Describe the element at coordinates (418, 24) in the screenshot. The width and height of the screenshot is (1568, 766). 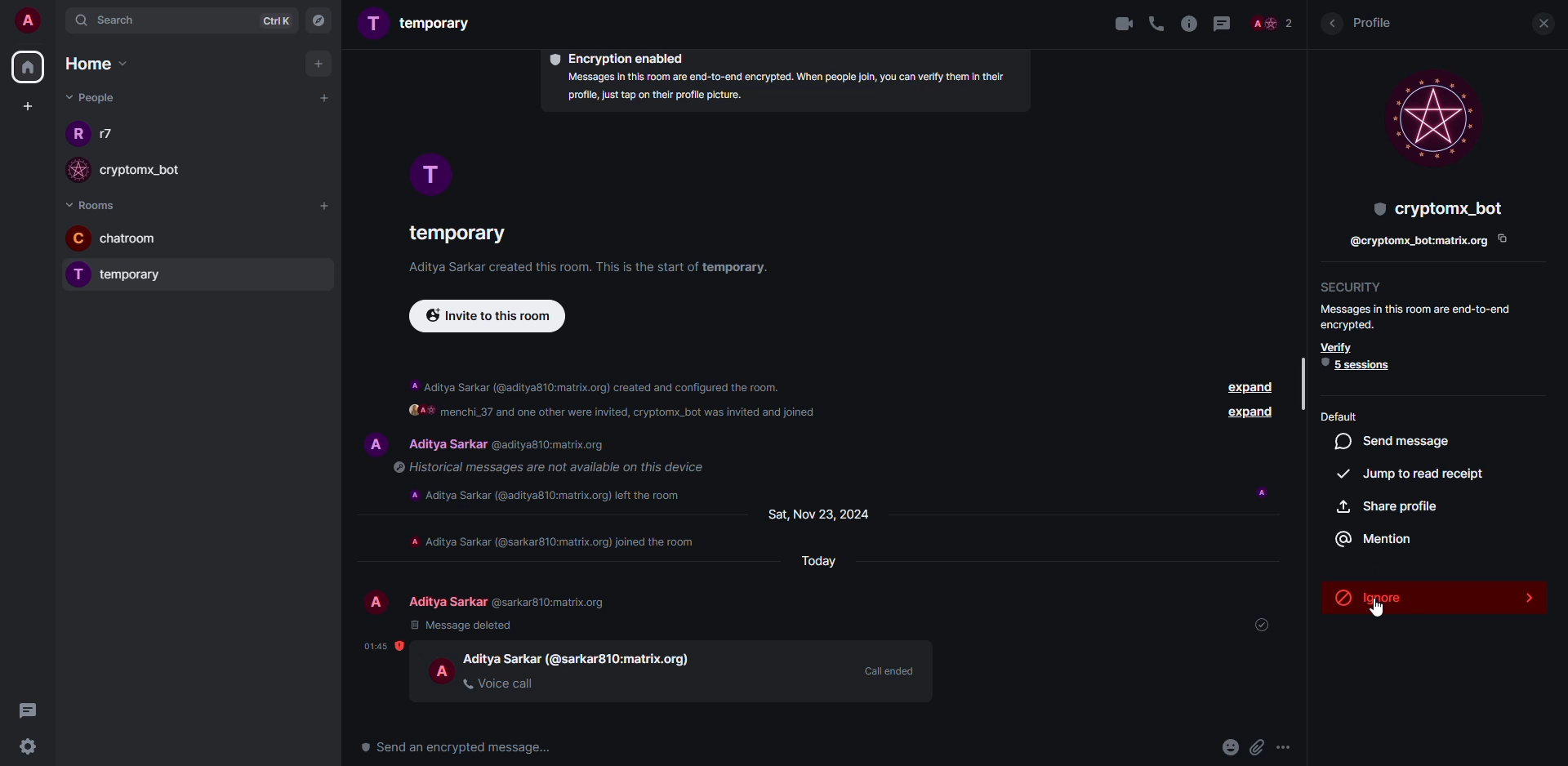
I see `room` at that location.